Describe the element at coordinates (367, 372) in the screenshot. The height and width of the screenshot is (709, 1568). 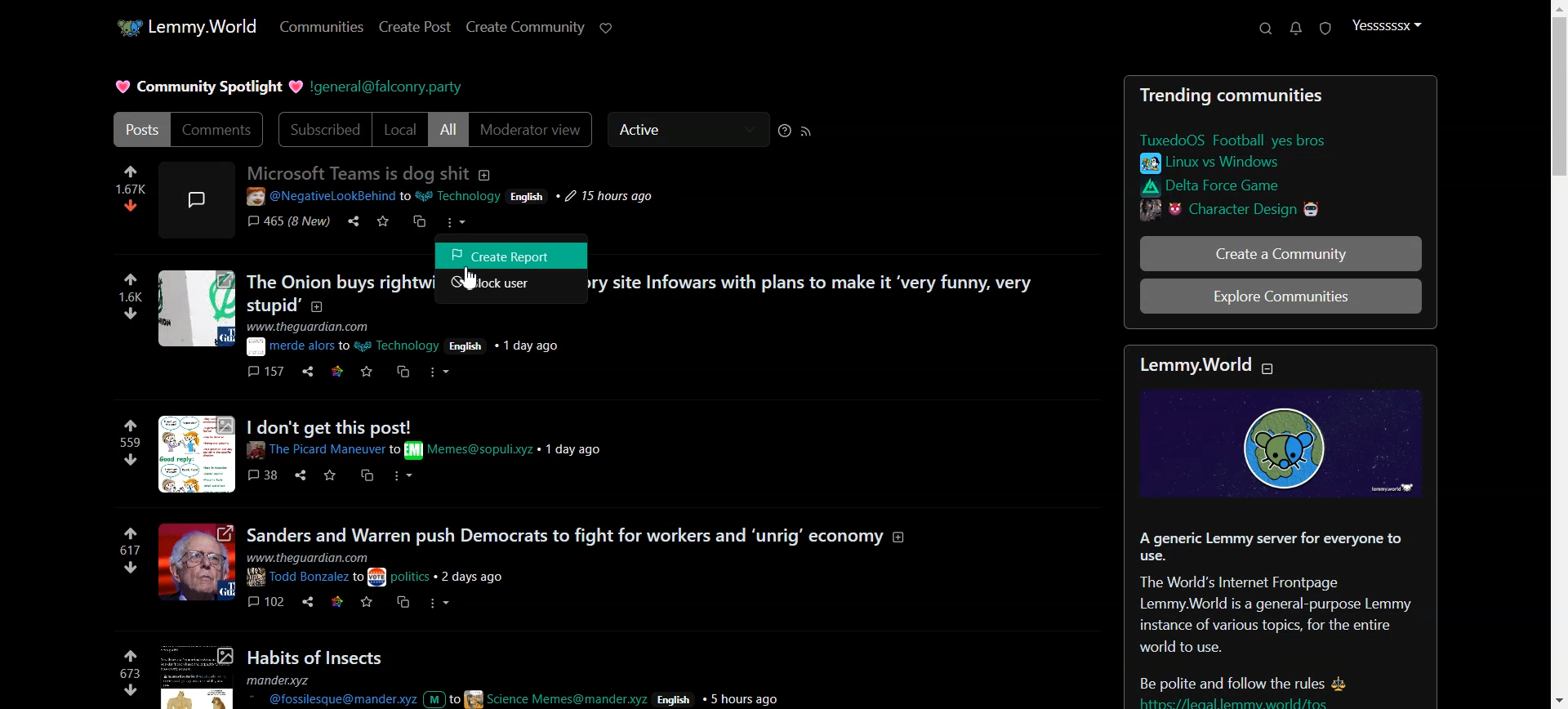
I see `save` at that location.